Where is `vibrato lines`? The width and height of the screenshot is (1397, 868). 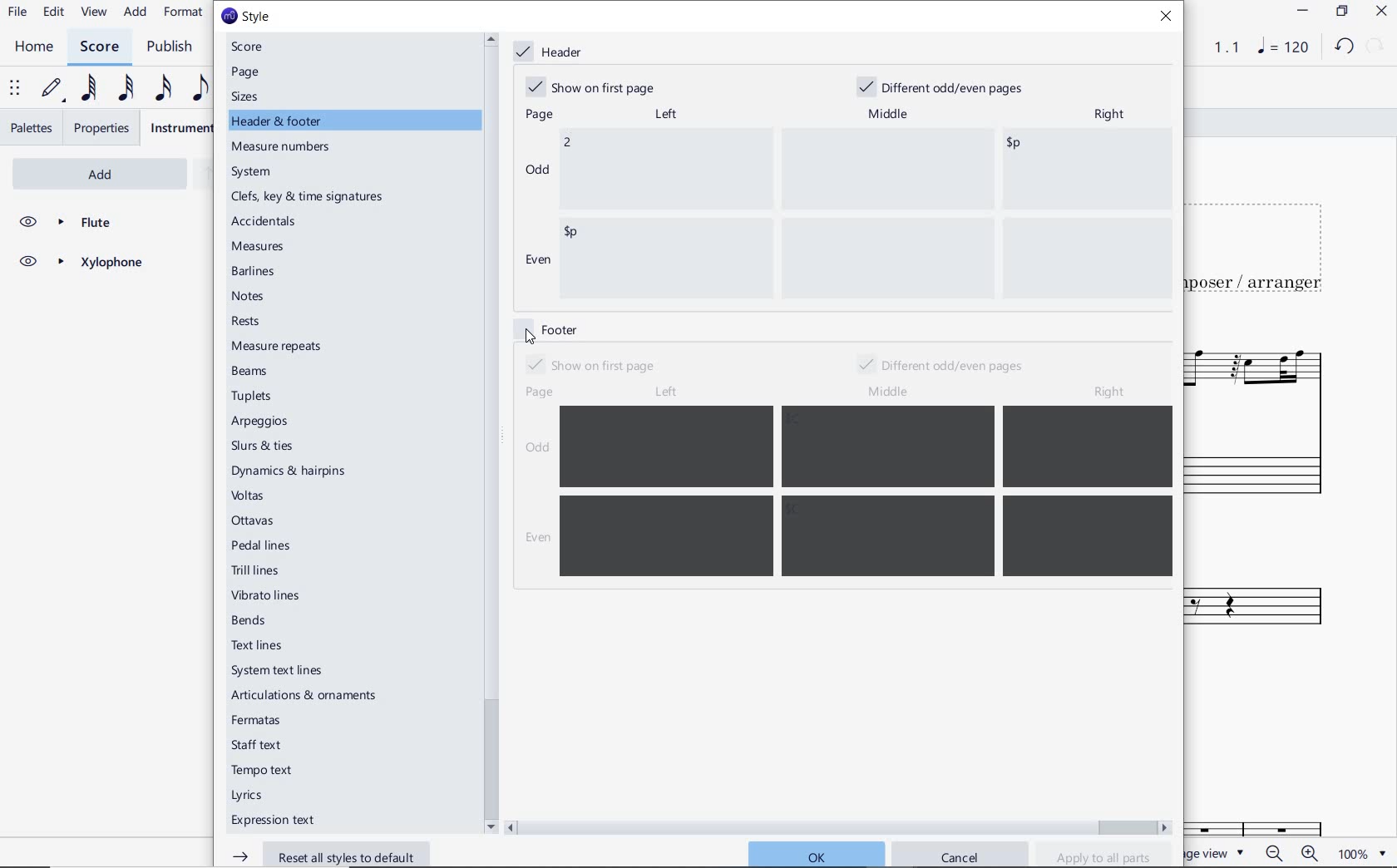 vibrato lines is located at coordinates (270, 596).